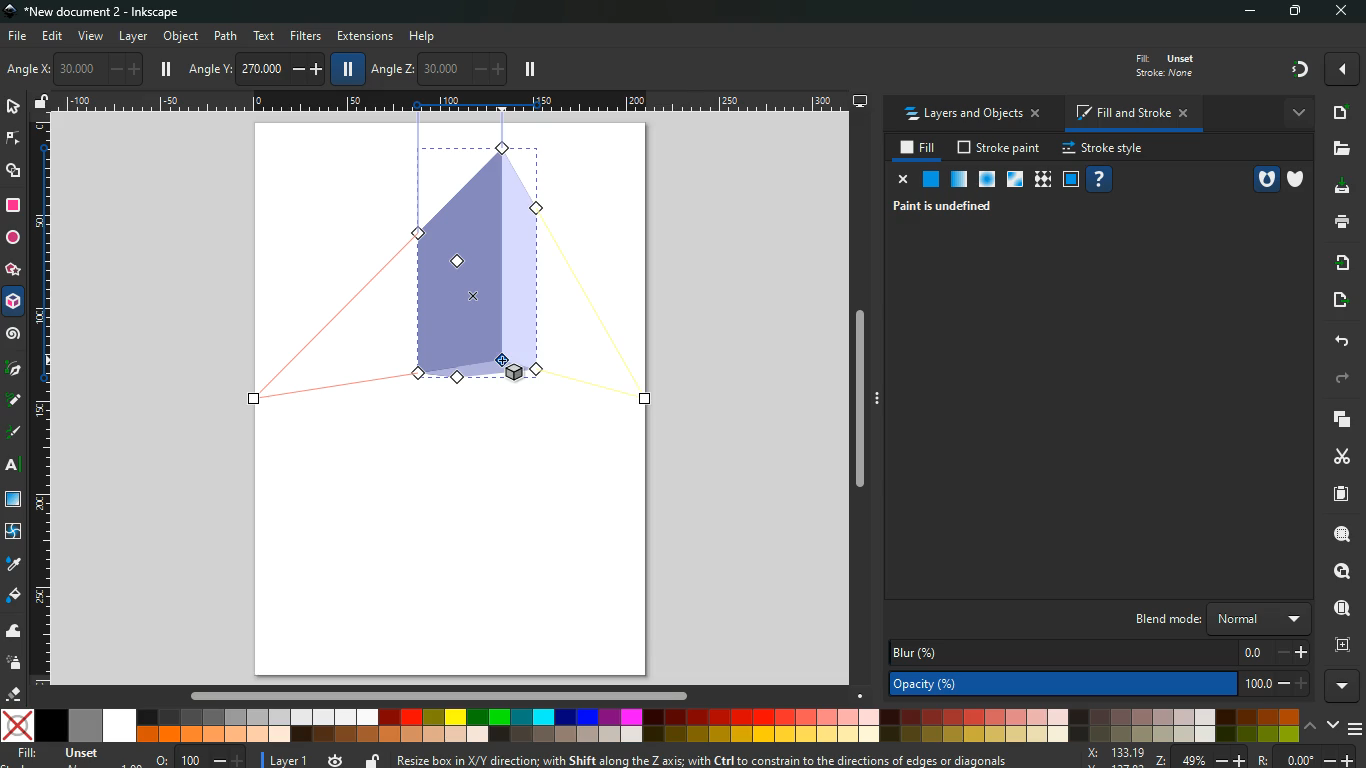 The height and width of the screenshot is (768, 1366). Describe the element at coordinates (14, 366) in the screenshot. I see `Pic` at that location.